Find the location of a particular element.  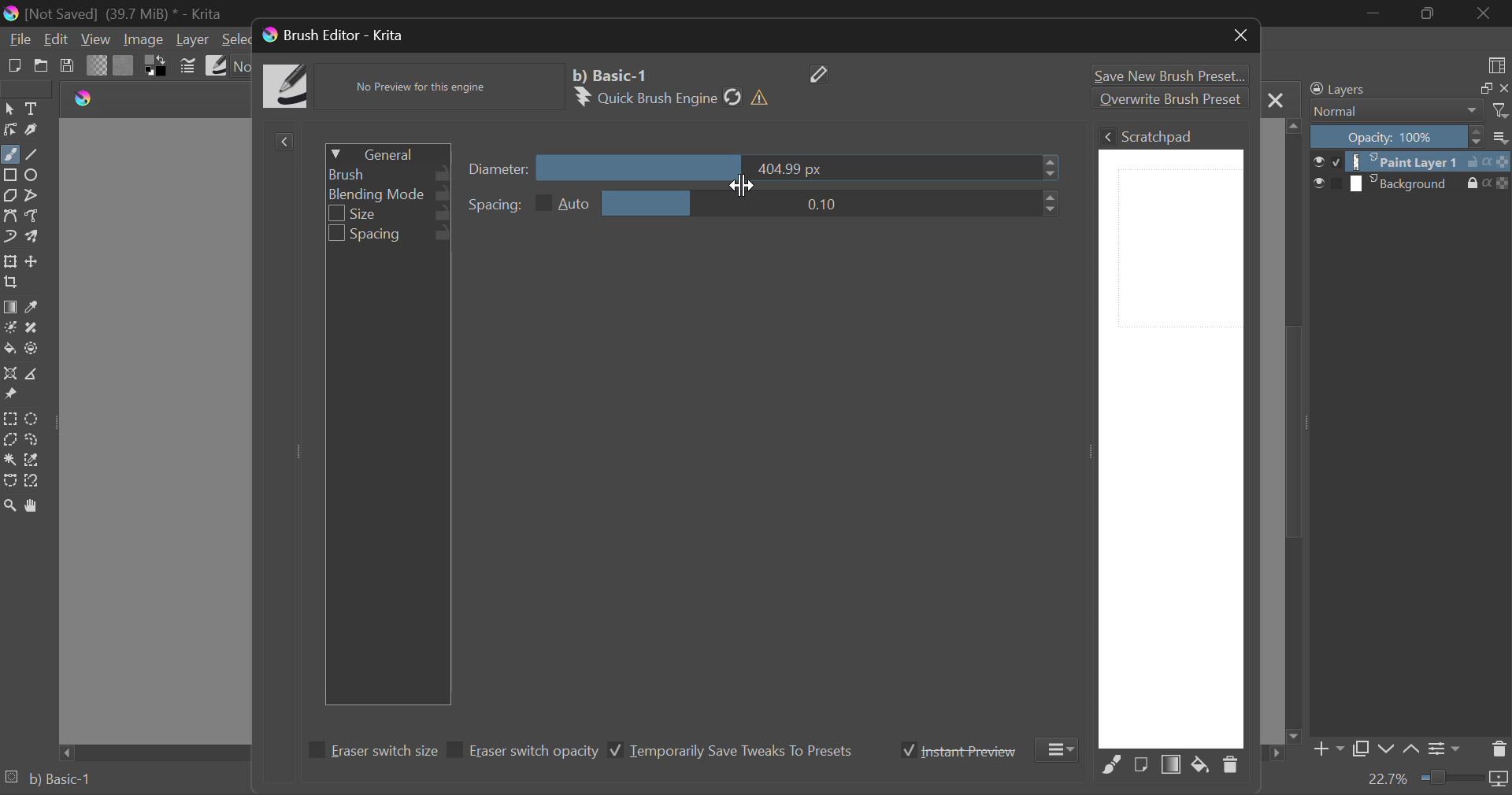

Spacing is located at coordinates (389, 235).